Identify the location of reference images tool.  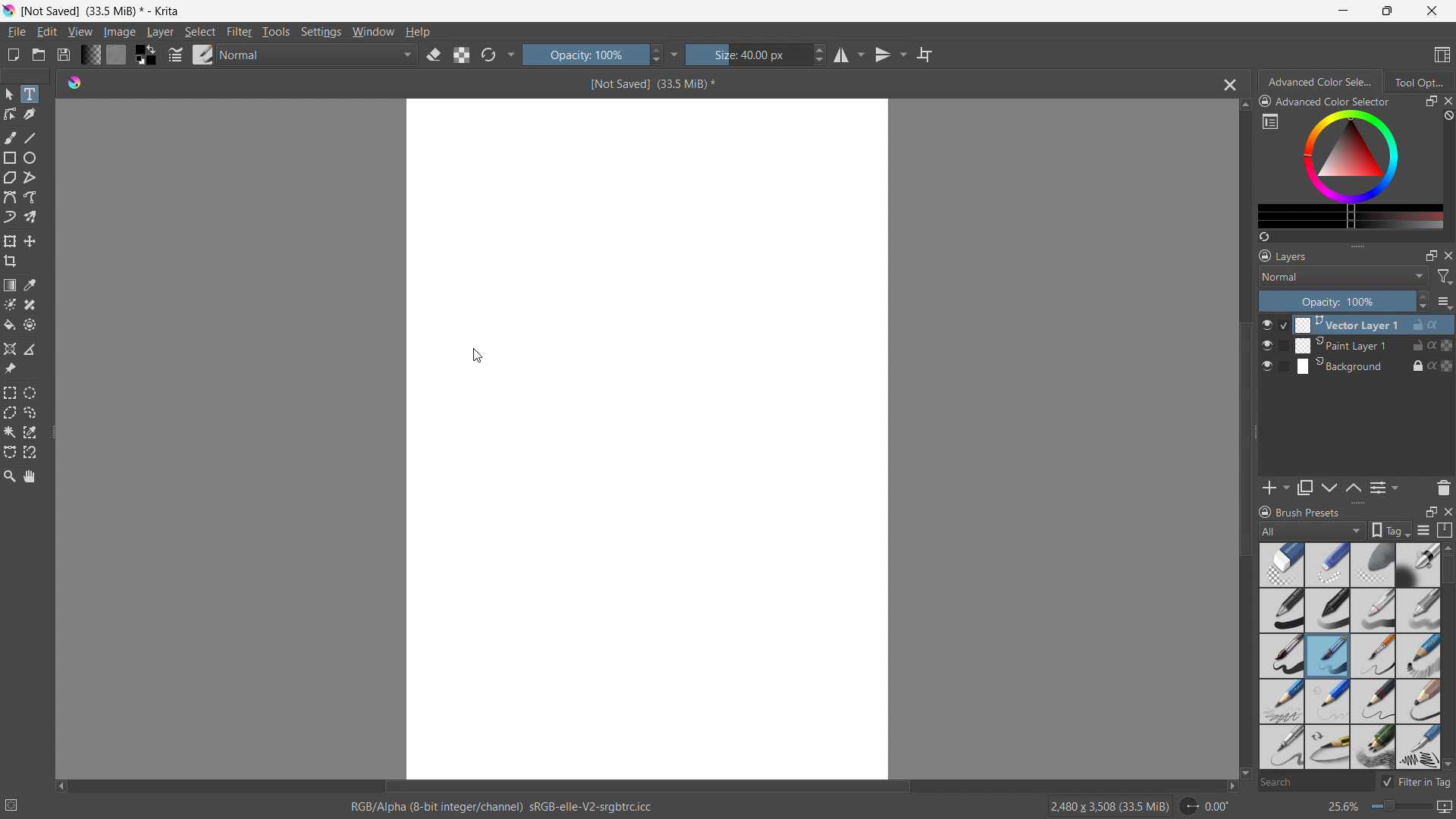
(10, 369).